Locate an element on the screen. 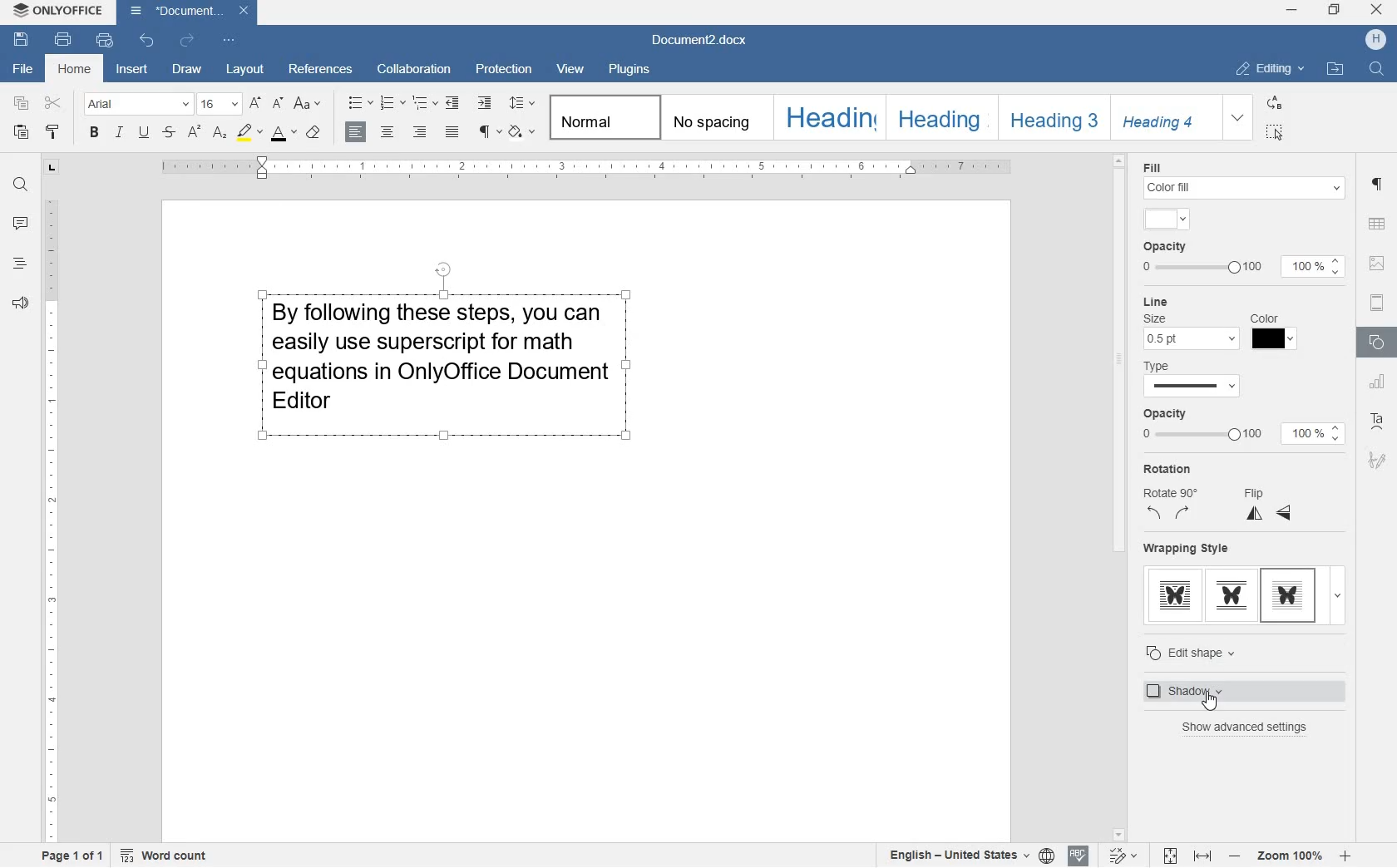 This screenshot has height=868, width=1397. through is located at coordinates (1176, 594).